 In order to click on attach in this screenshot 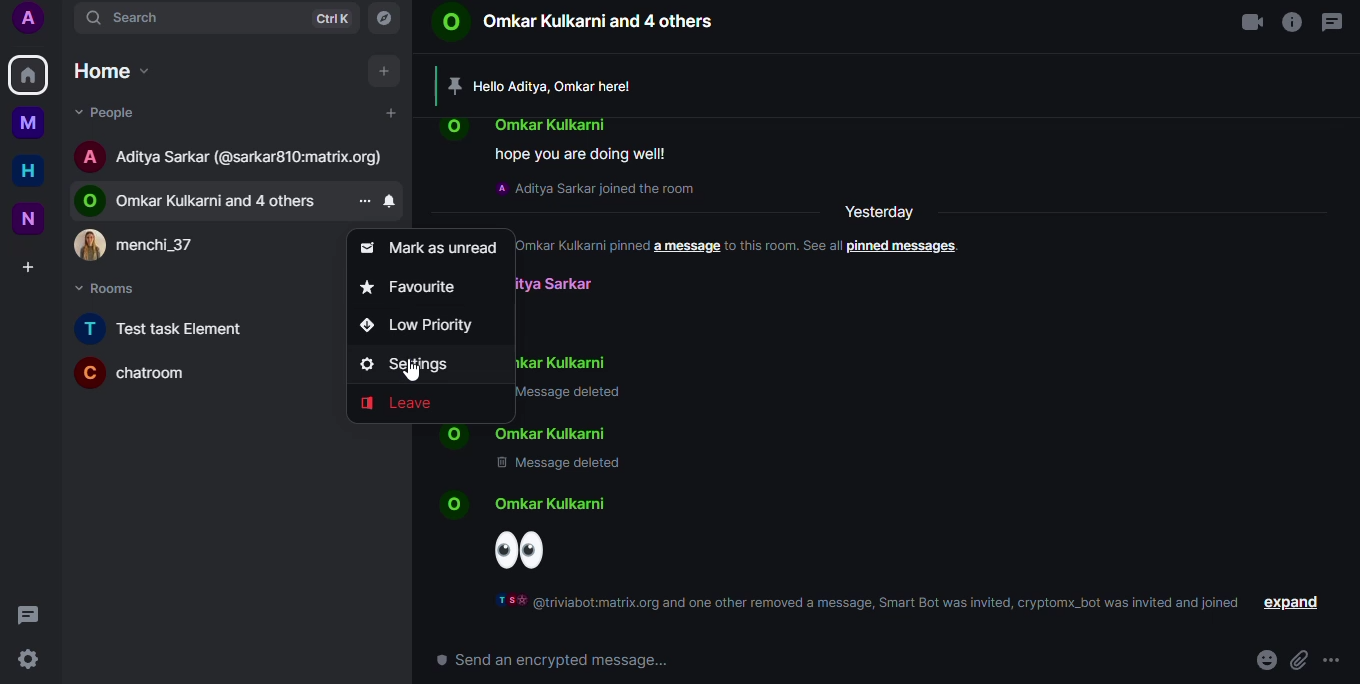, I will do `click(1298, 661)`.